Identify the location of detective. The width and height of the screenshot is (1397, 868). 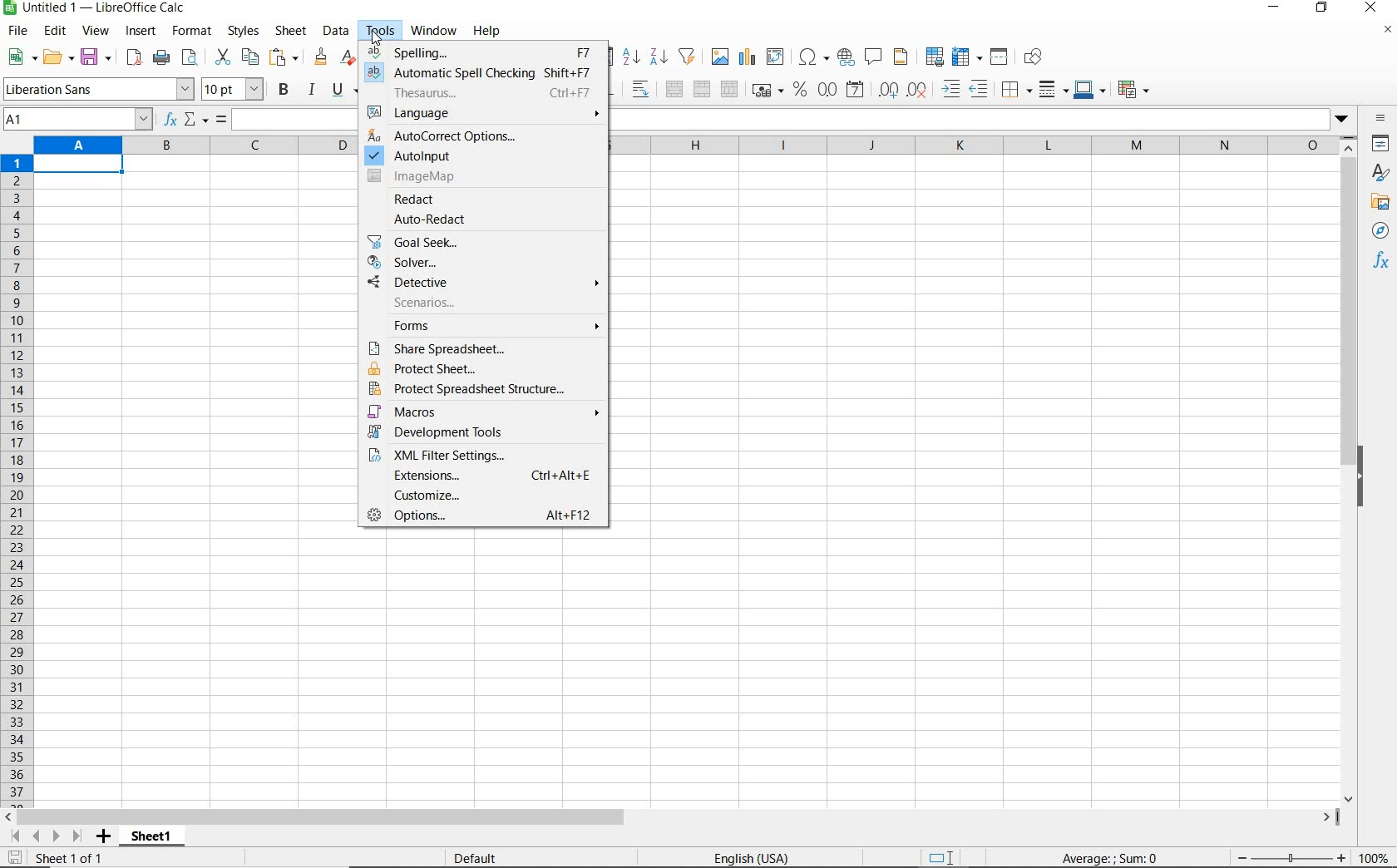
(483, 281).